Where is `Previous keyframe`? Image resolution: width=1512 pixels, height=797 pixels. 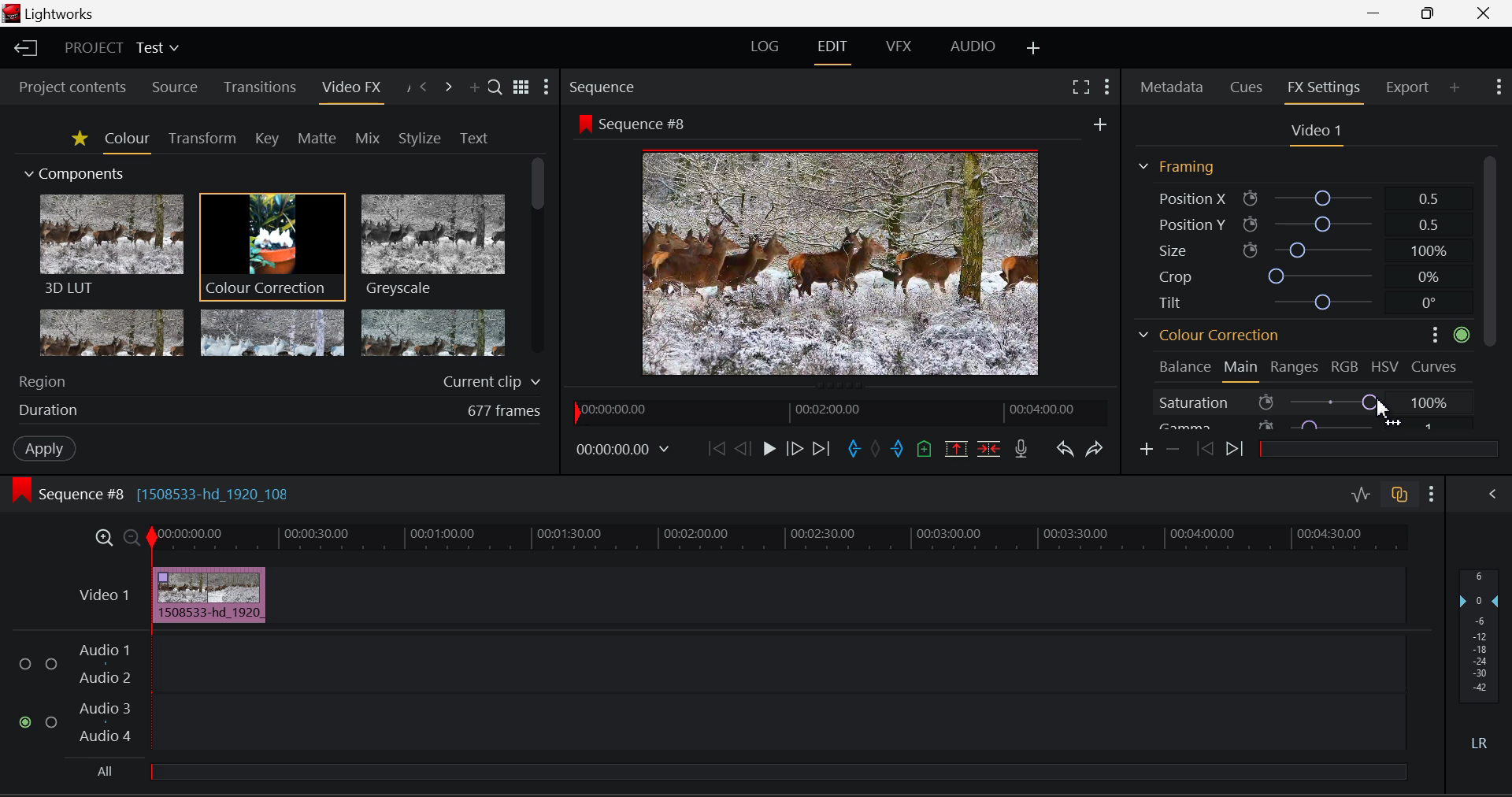
Previous keyframe is located at coordinates (1204, 450).